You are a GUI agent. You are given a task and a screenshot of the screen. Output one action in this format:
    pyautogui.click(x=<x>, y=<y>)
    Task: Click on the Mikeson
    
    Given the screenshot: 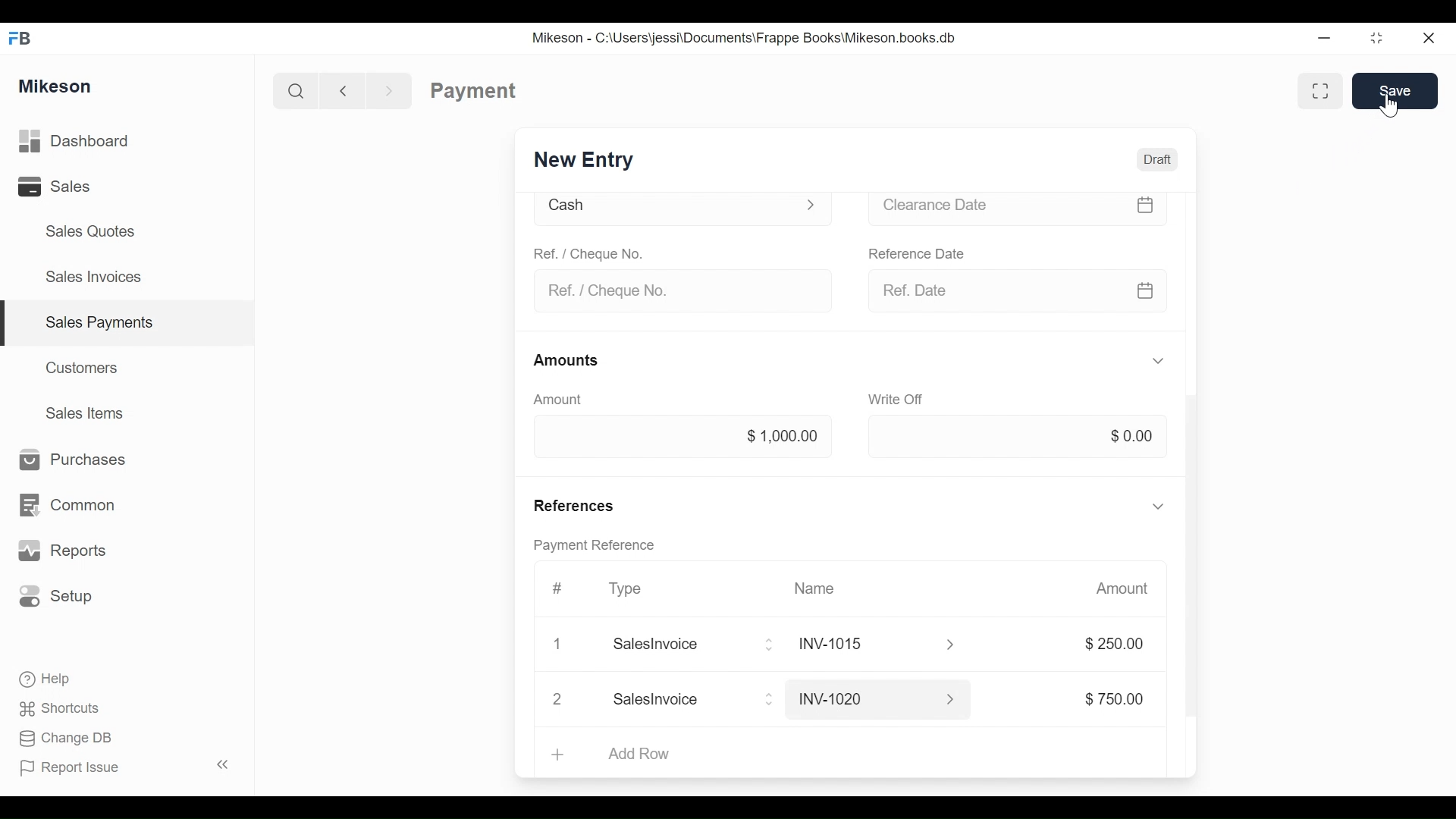 What is the action you would take?
    pyautogui.click(x=56, y=84)
    